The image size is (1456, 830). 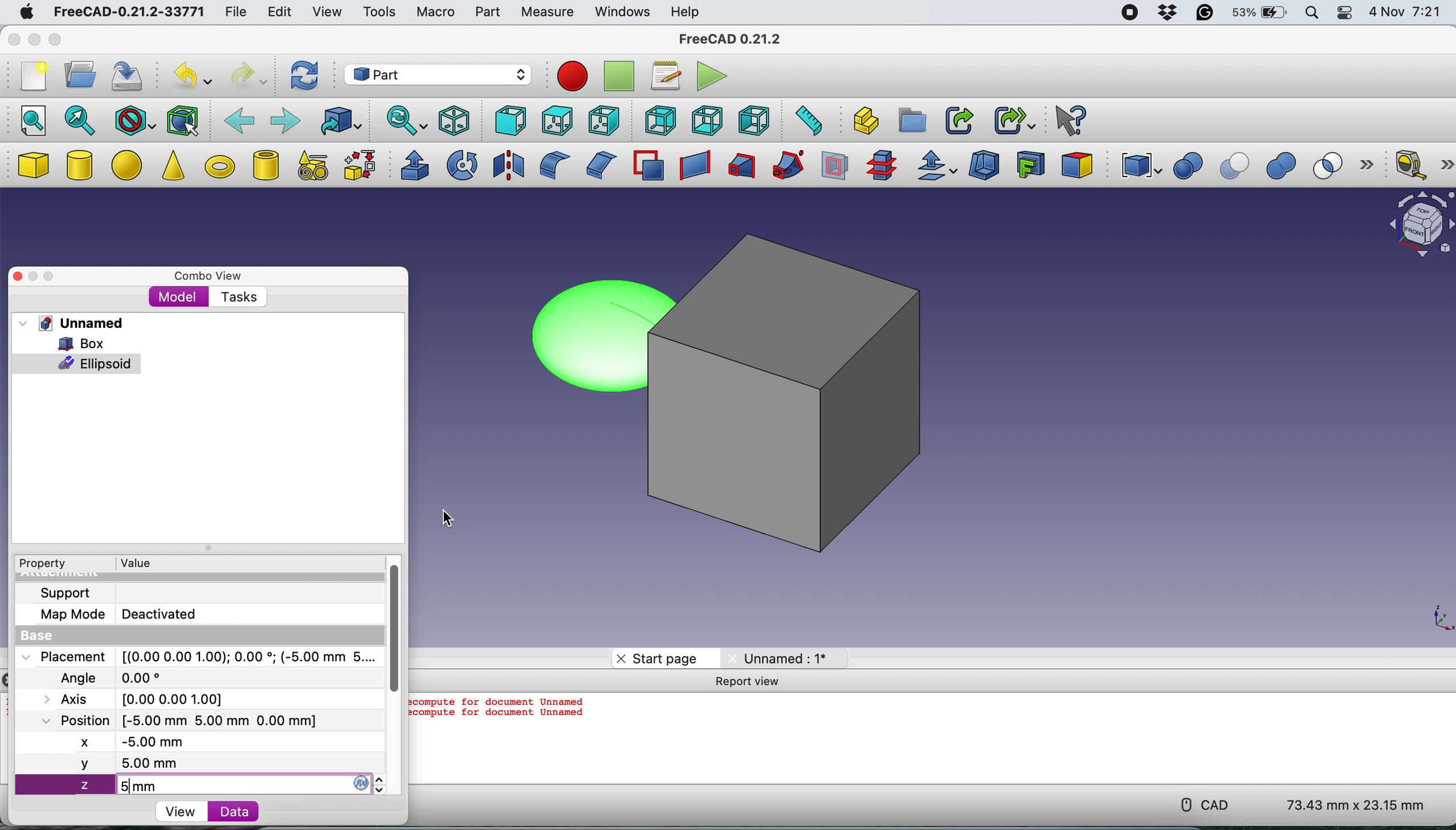 I want to click on tools, so click(x=382, y=15).